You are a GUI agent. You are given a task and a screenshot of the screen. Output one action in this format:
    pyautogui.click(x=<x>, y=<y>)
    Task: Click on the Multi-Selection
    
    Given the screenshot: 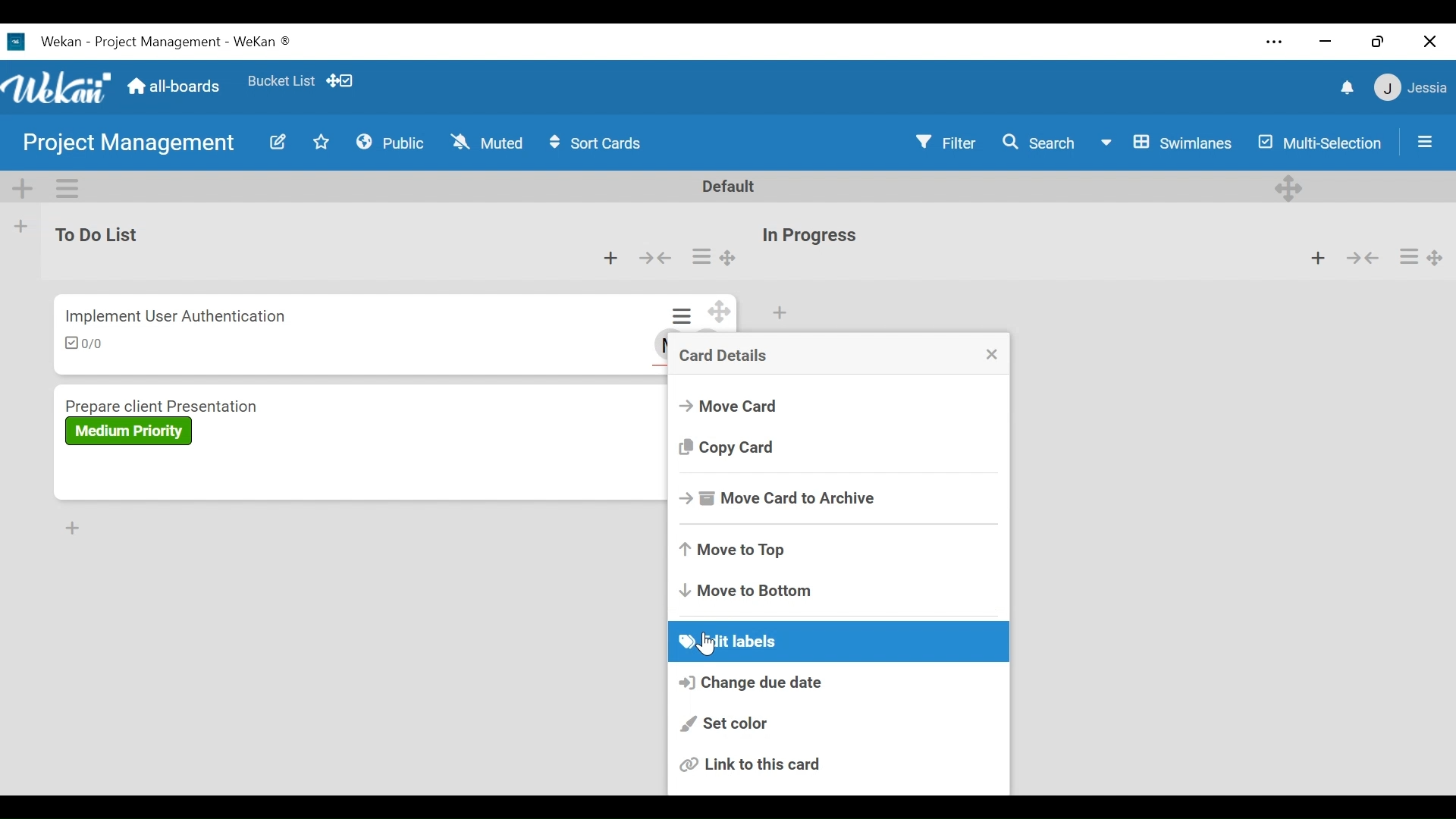 What is the action you would take?
    pyautogui.click(x=1321, y=143)
    